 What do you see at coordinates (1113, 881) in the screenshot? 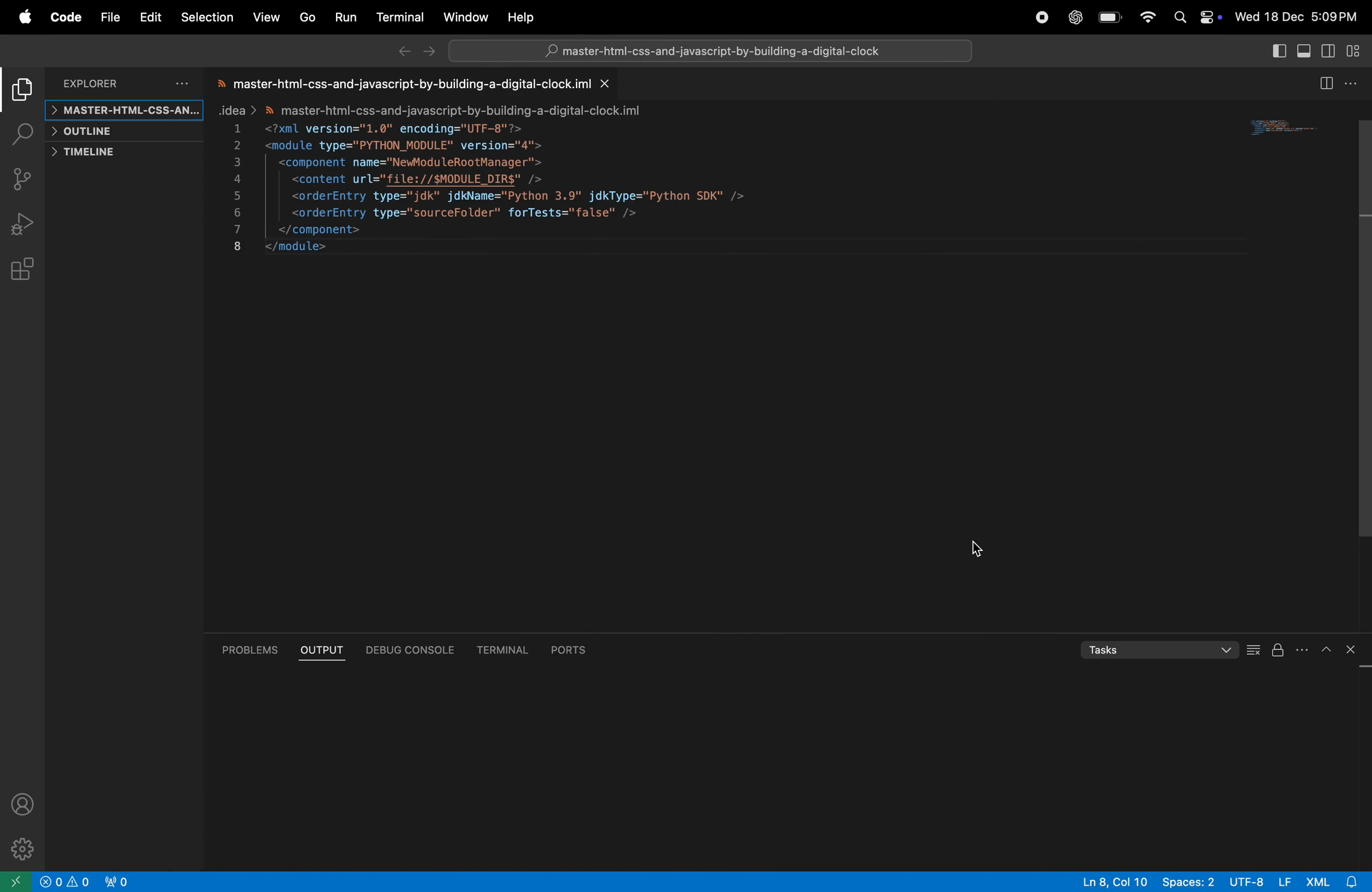
I see `ln 8 col 10` at bounding box center [1113, 881].